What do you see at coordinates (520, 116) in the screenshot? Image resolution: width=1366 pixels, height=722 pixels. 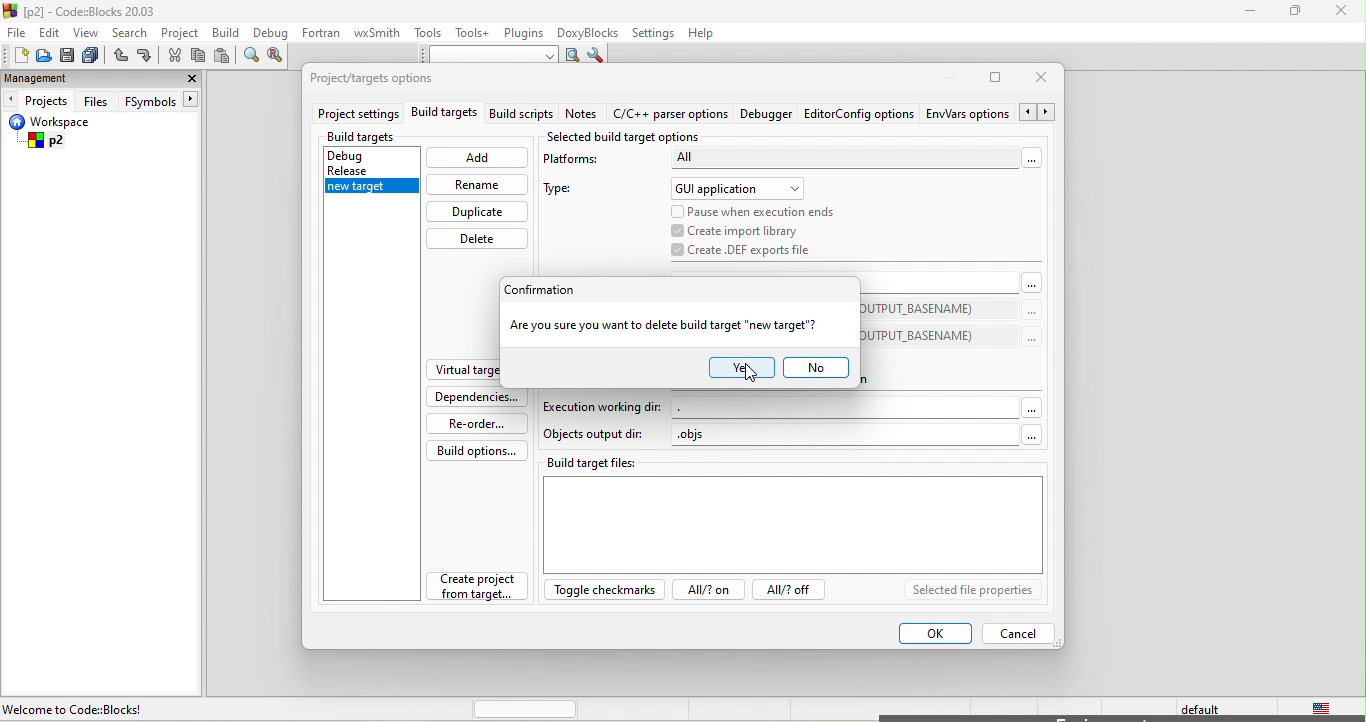 I see `build scripts` at bounding box center [520, 116].